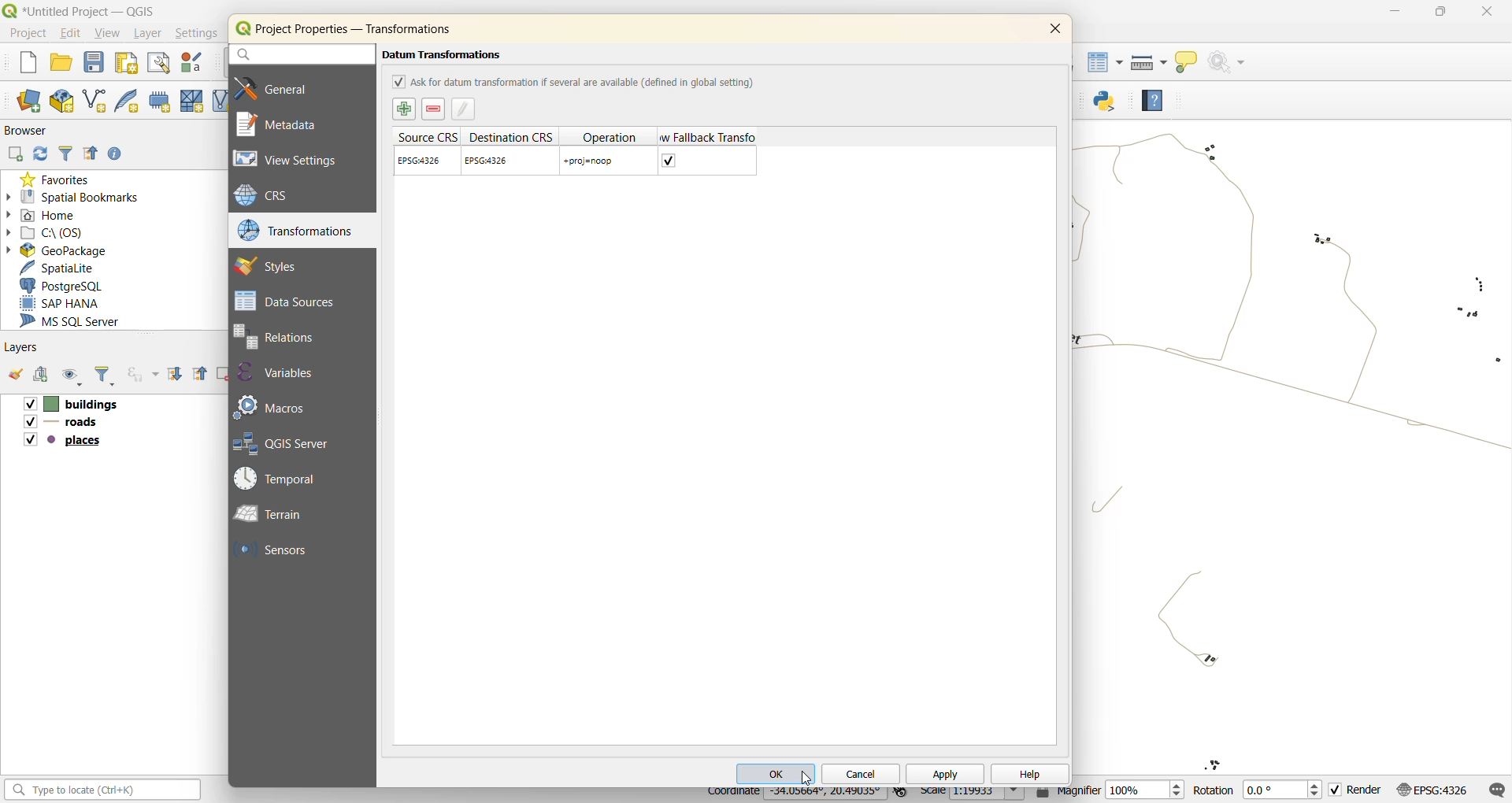  I want to click on terrain, so click(281, 516).